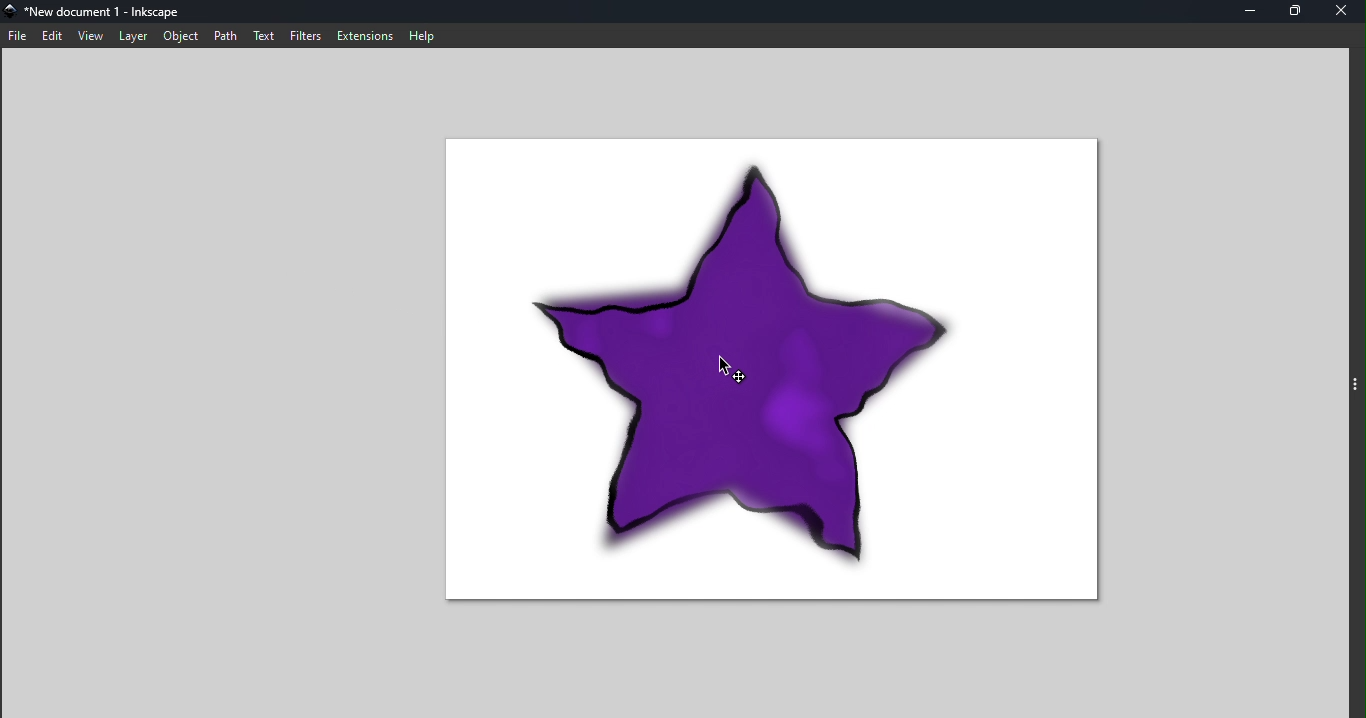 Image resolution: width=1366 pixels, height=718 pixels. I want to click on Canvas, so click(791, 366).